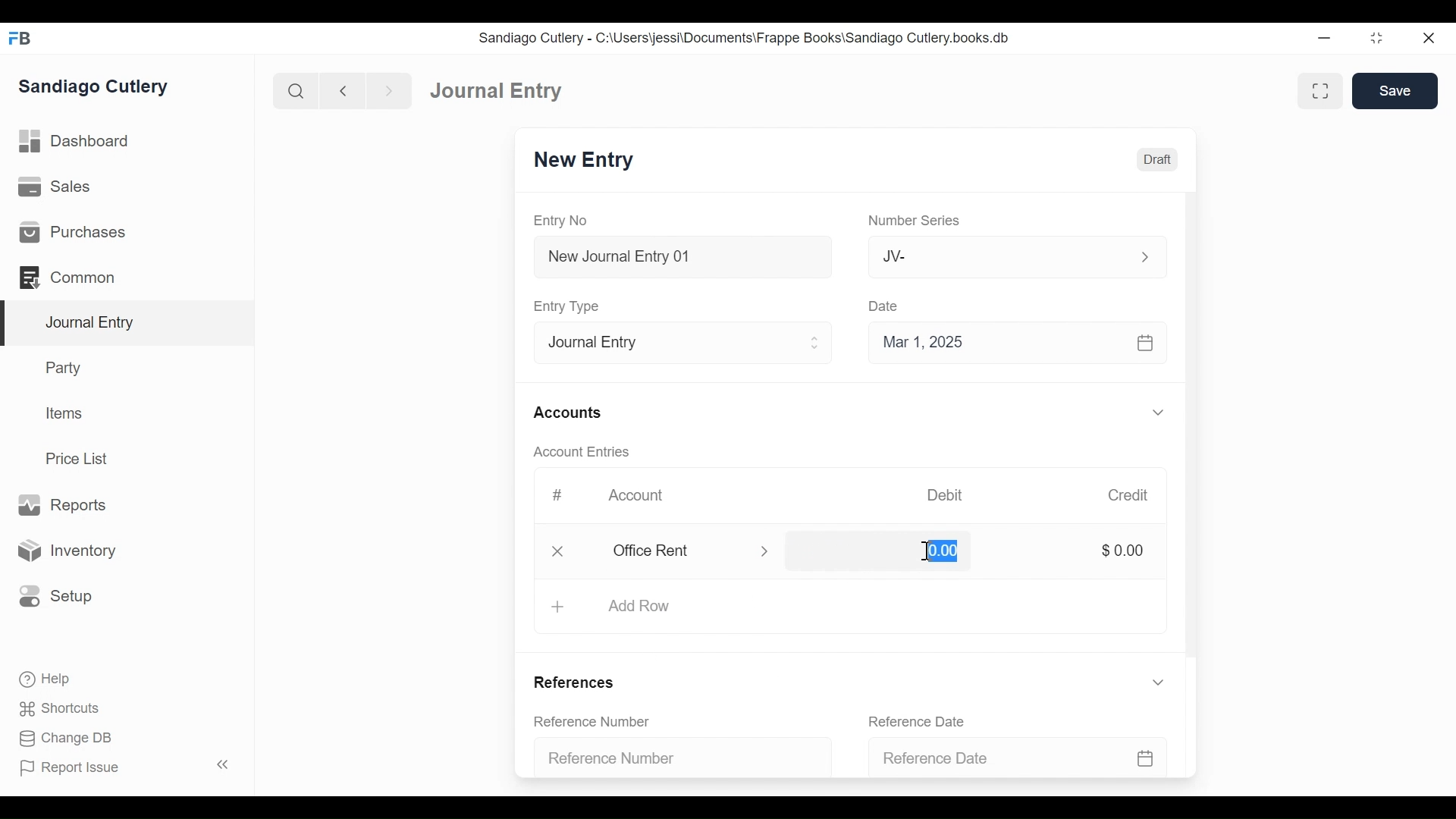  I want to click on Reference Date, so click(1031, 758).